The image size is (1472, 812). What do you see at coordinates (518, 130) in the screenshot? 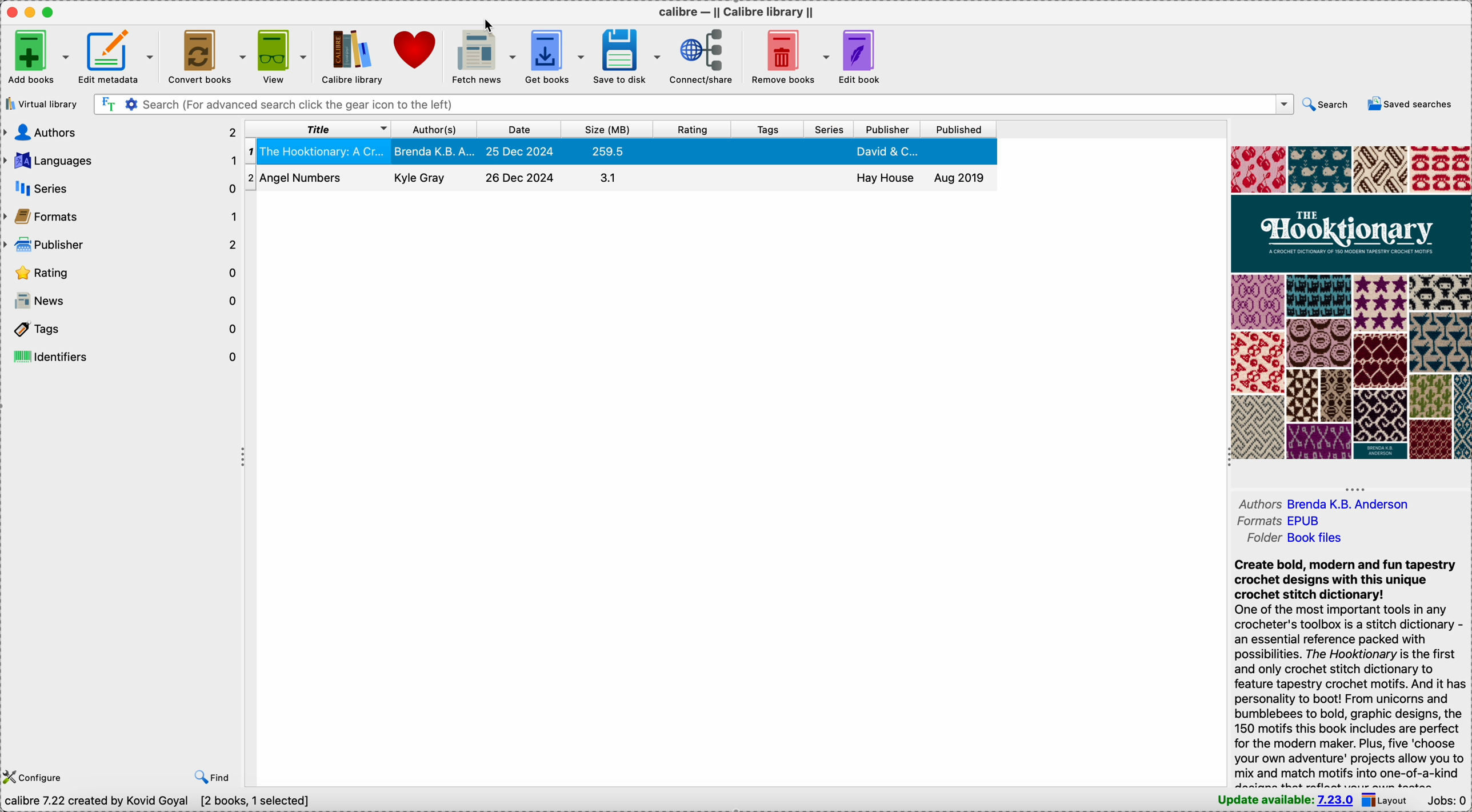
I see `date` at bounding box center [518, 130].